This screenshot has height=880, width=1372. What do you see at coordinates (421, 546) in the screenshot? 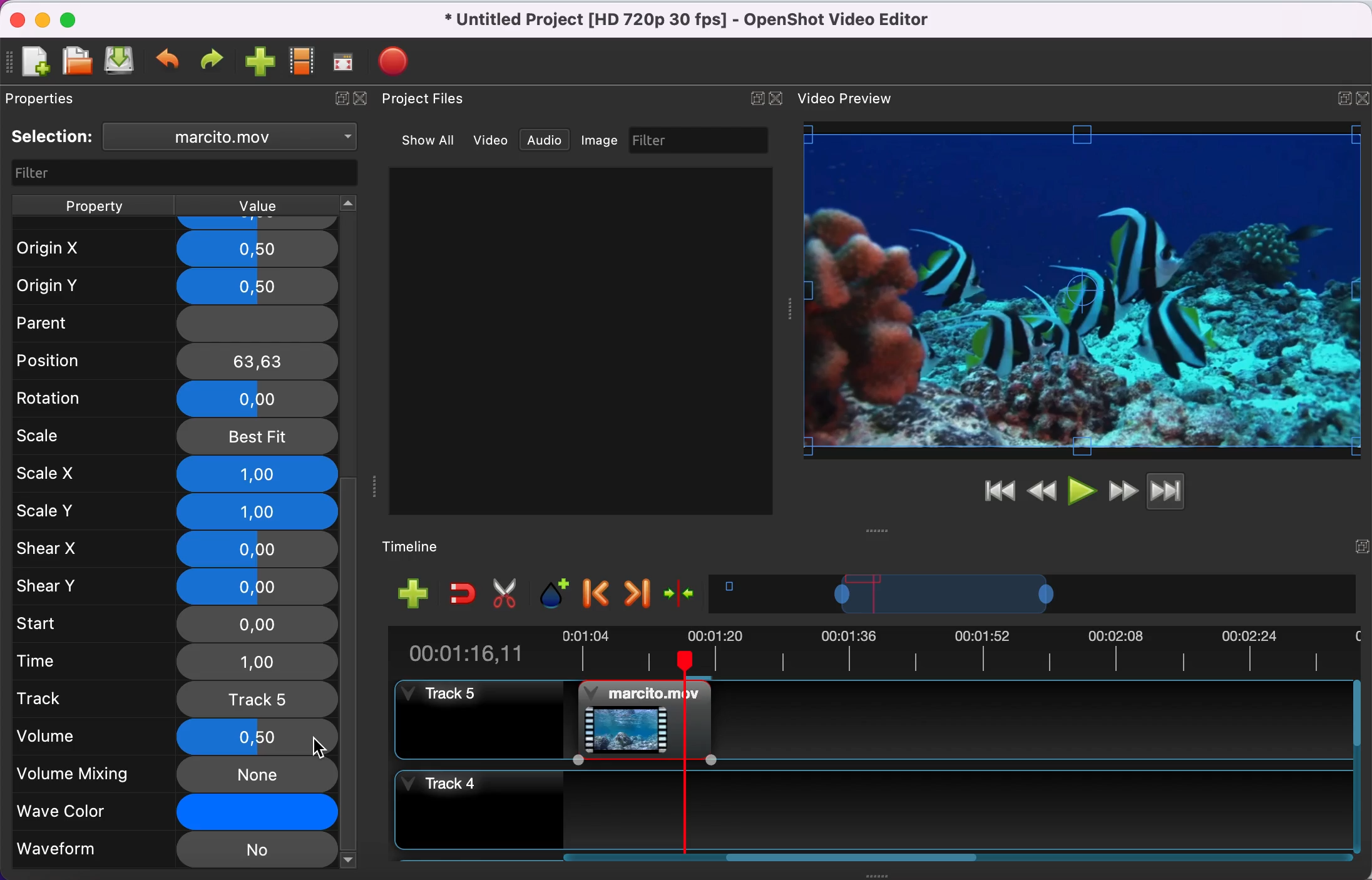
I see `timelime` at bounding box center [421, 546].